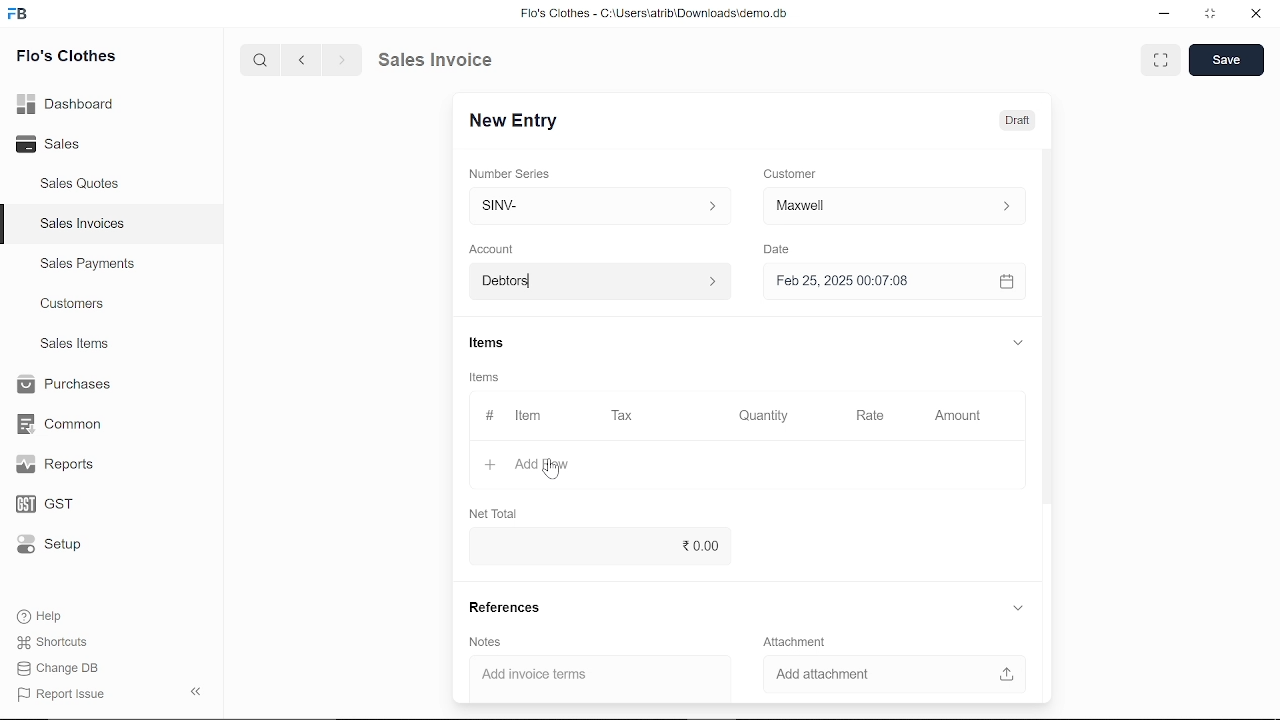  Describe the element at coordinates (890, 675) in the screenshot. I see `Add attachment` at that location.